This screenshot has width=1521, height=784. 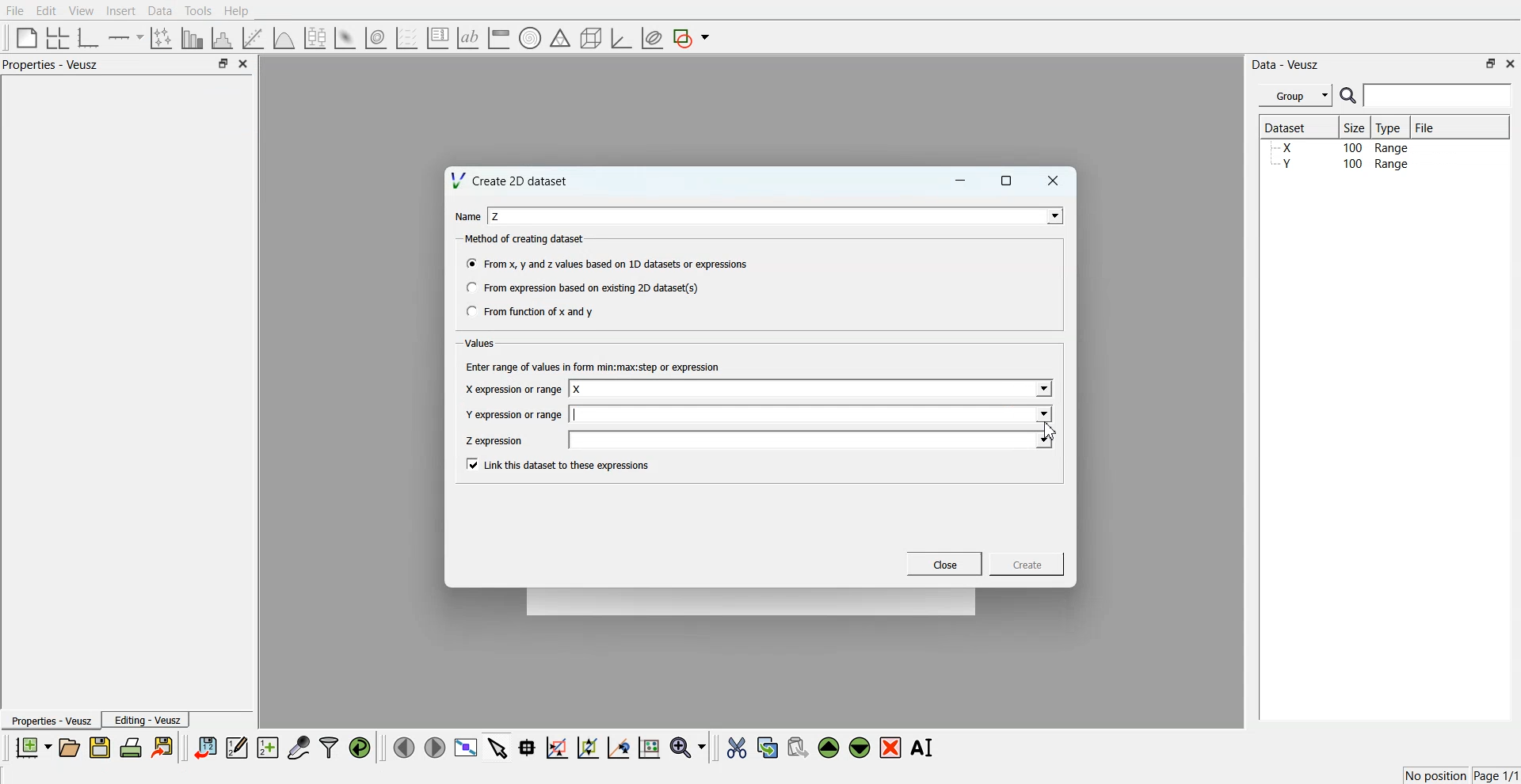 I want to click on ~~ Enter range of values in form min:max:step or expression, so click(x=593, y=366).